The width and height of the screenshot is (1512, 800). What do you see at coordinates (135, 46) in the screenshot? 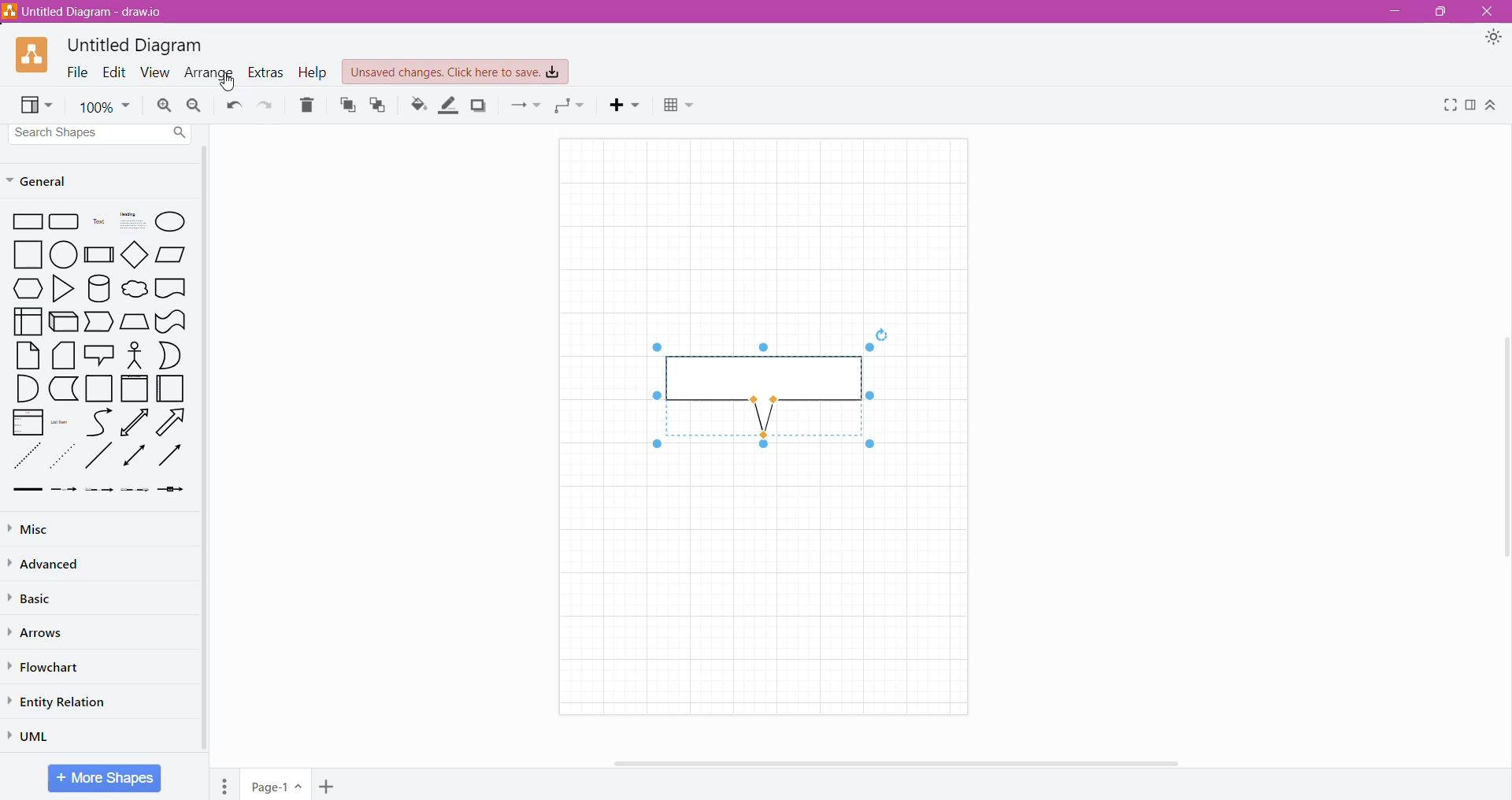
I see `Untitled Diagram` at bounding box center [135, 46].